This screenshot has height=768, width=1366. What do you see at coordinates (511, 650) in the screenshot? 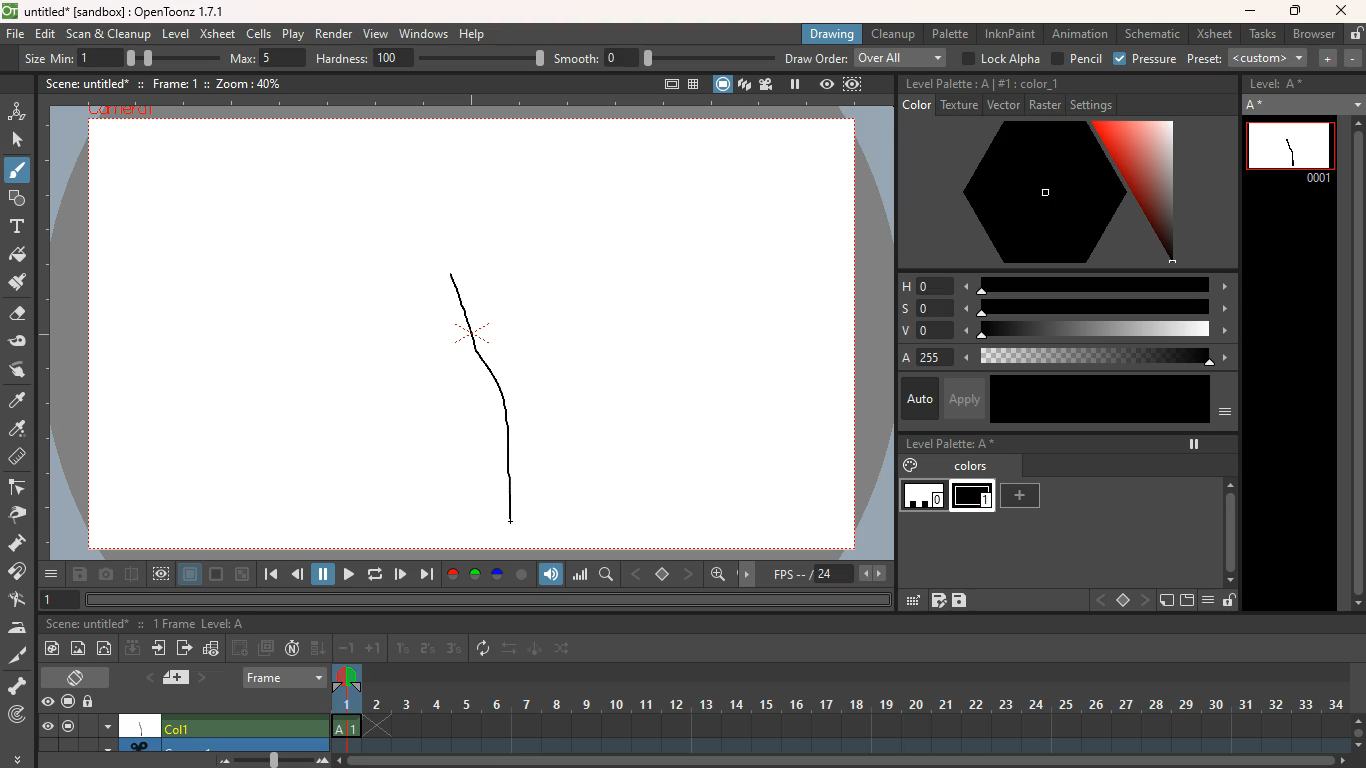
I see `swap` at bounding box center [511, 650].